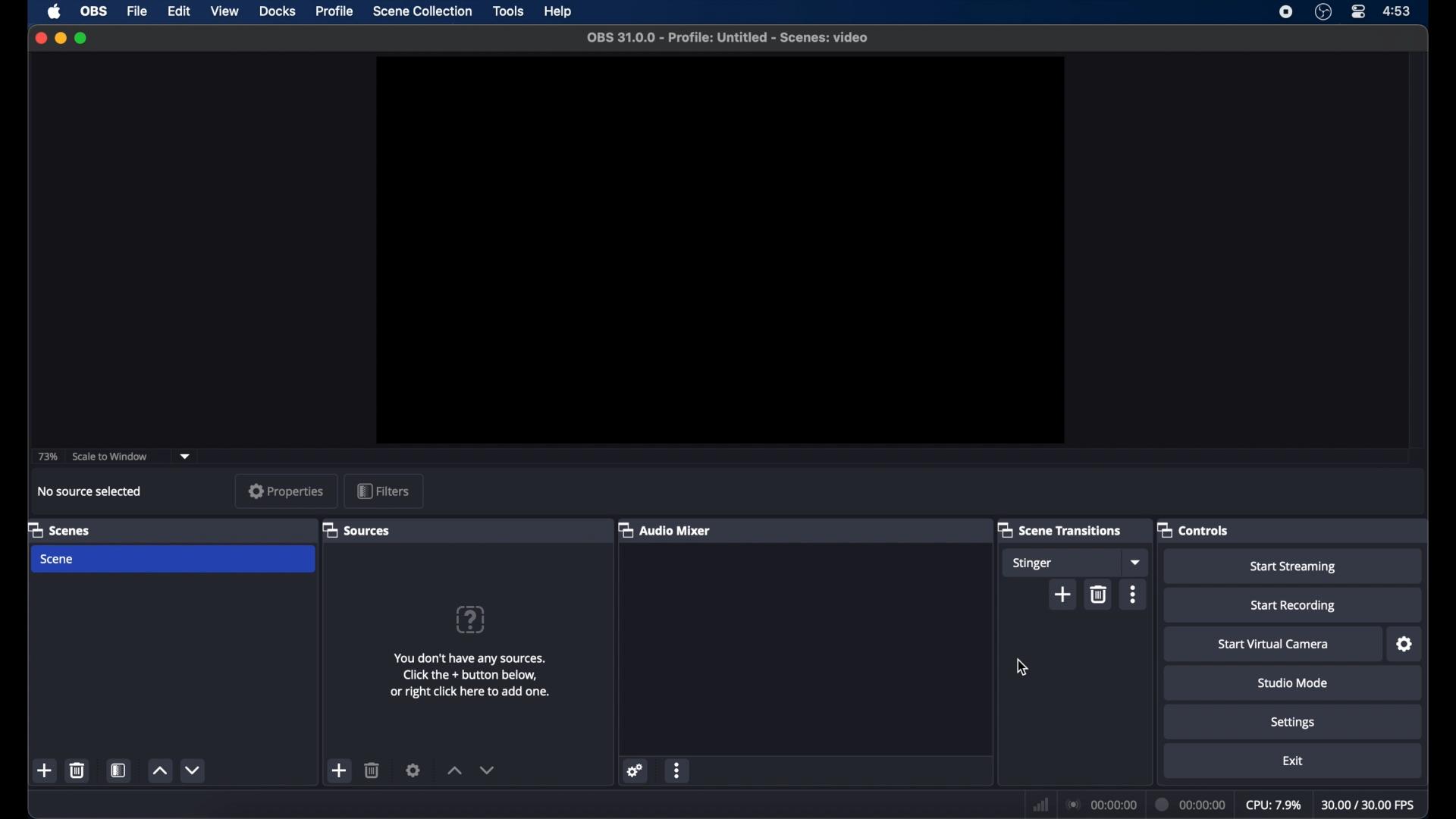  Describe the element at coordinates (1100, 804) in the screenshot. I see `connection` at that location.